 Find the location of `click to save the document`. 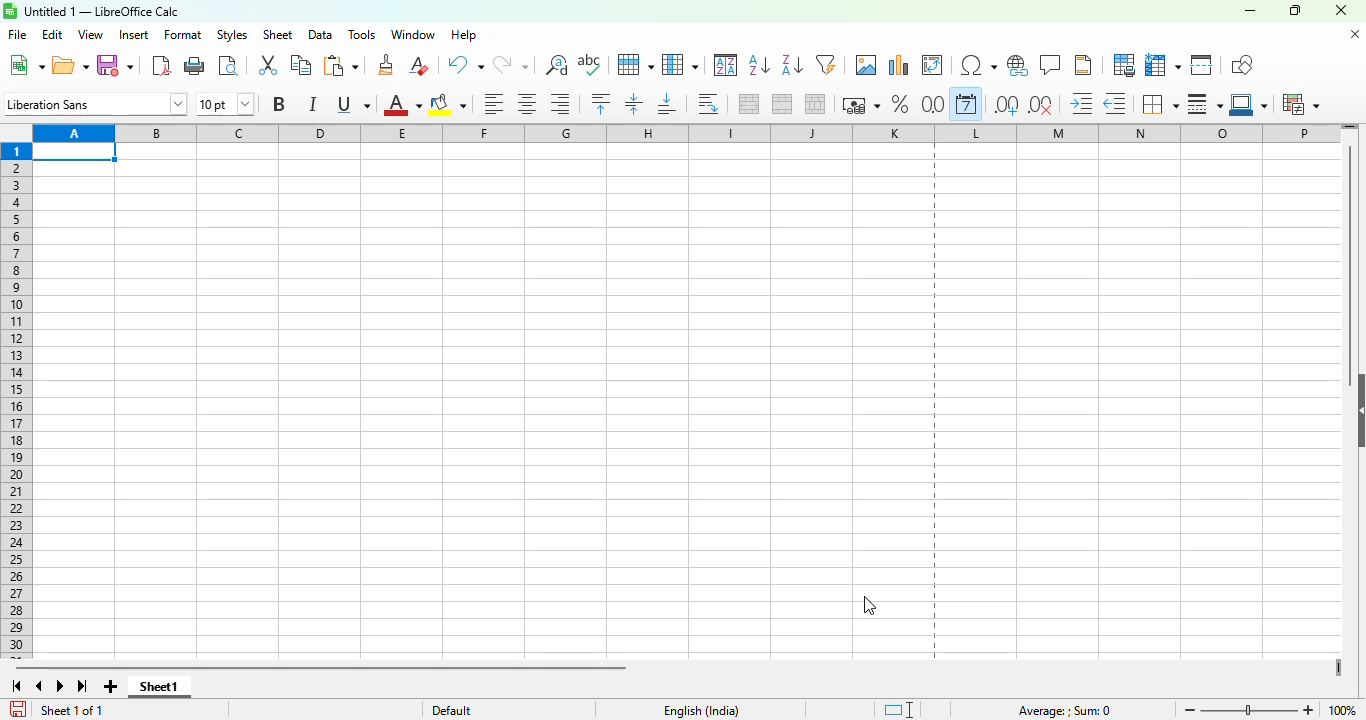

click to save the document is located at coordinates (19, 709).